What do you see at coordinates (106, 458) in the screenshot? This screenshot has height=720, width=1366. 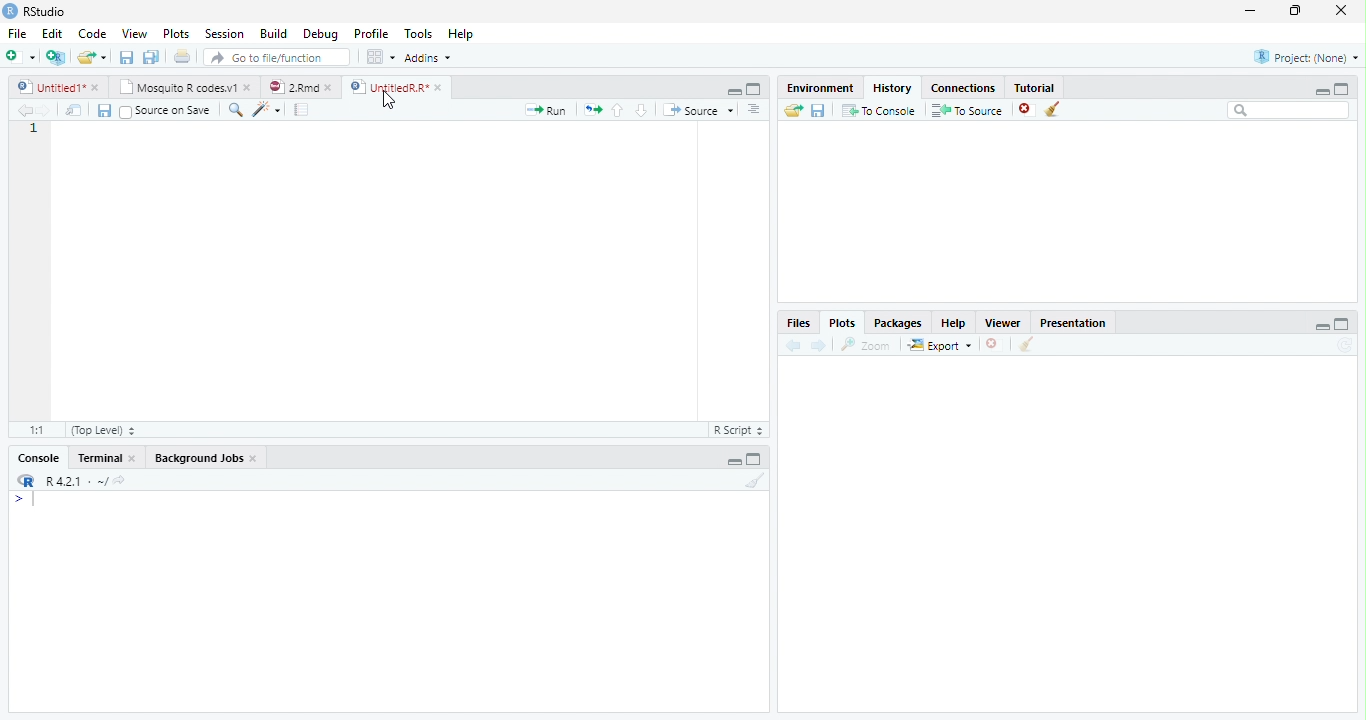 I see `Terminal` at bounding box center [106, 458].